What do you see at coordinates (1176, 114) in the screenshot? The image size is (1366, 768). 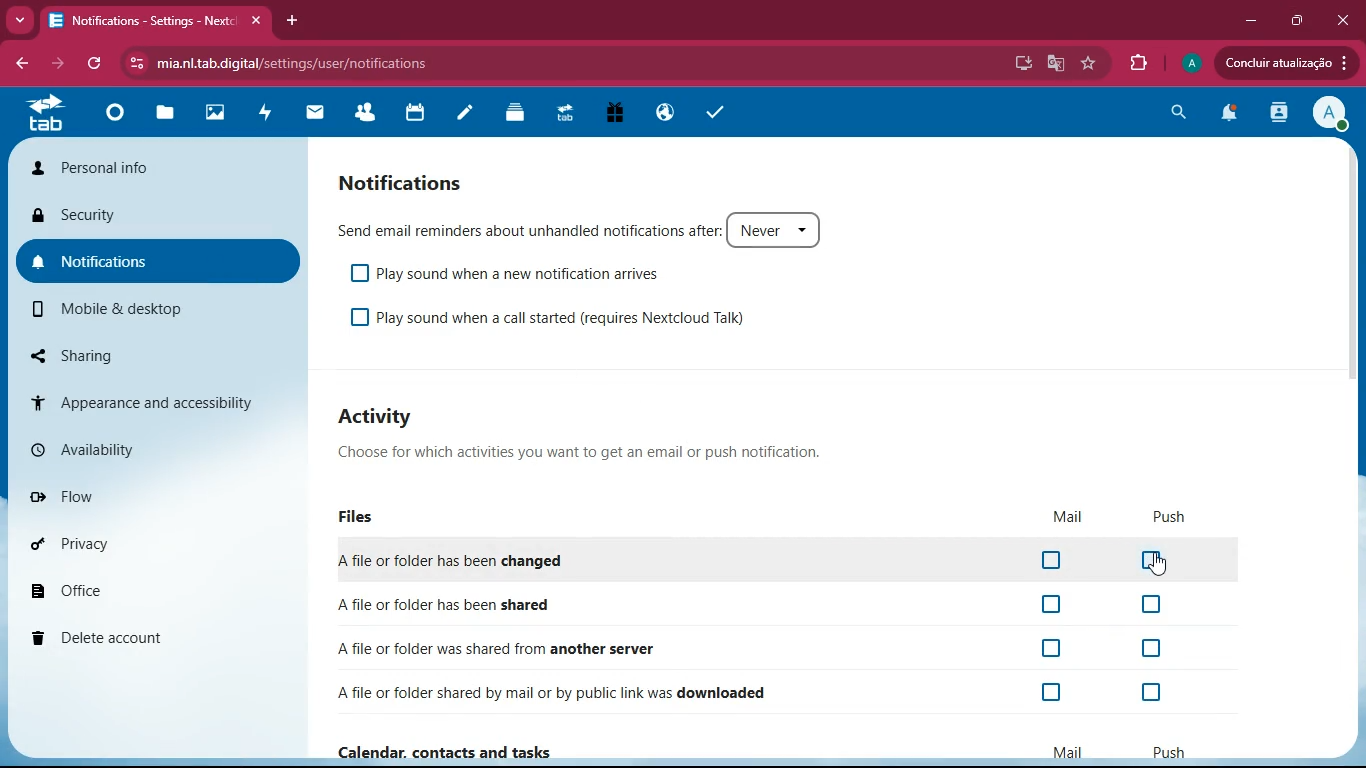 I see `search` at bounding box center [1176, 114].